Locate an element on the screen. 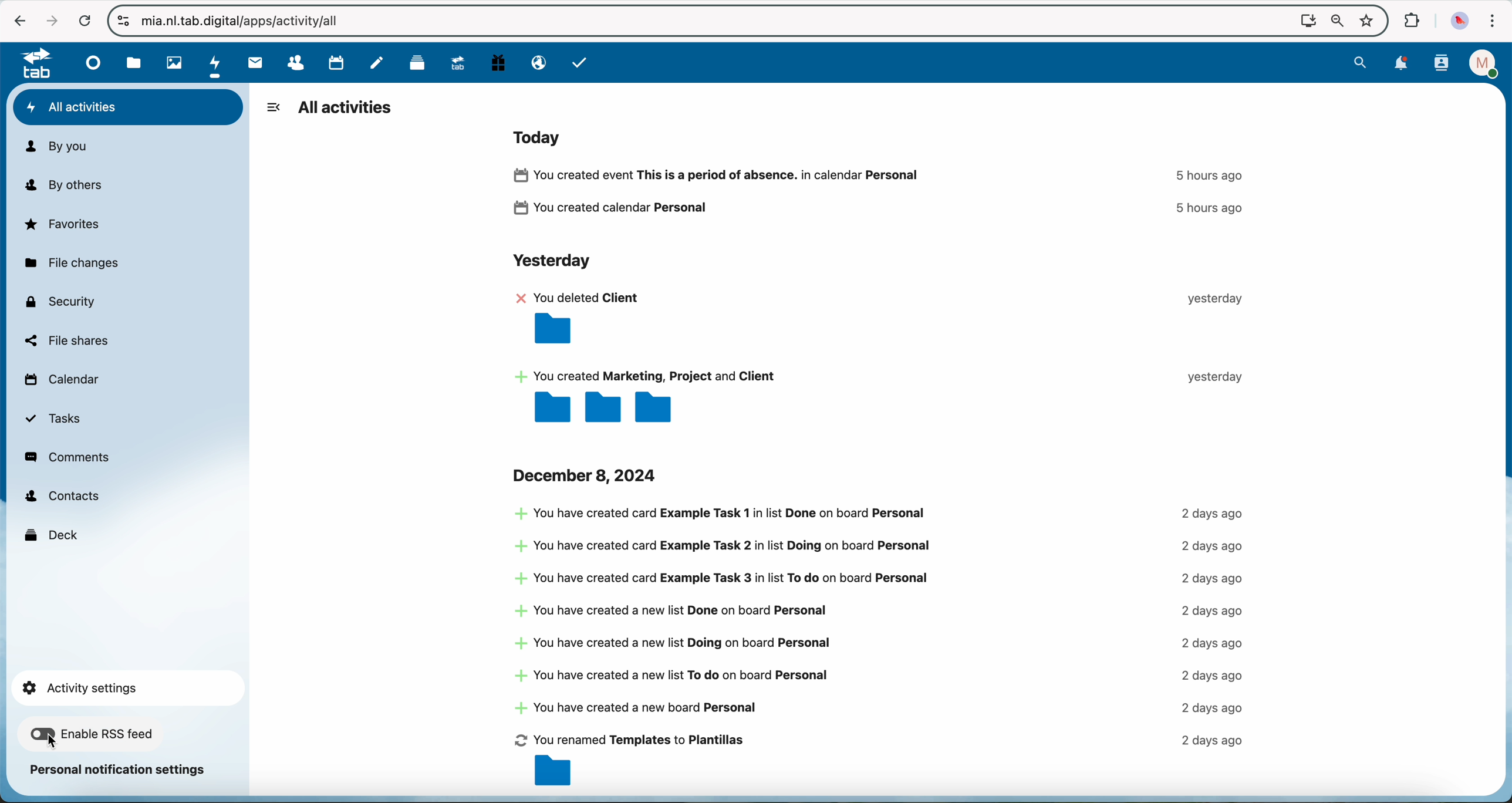  profile is located at coordinates (1486, 63).